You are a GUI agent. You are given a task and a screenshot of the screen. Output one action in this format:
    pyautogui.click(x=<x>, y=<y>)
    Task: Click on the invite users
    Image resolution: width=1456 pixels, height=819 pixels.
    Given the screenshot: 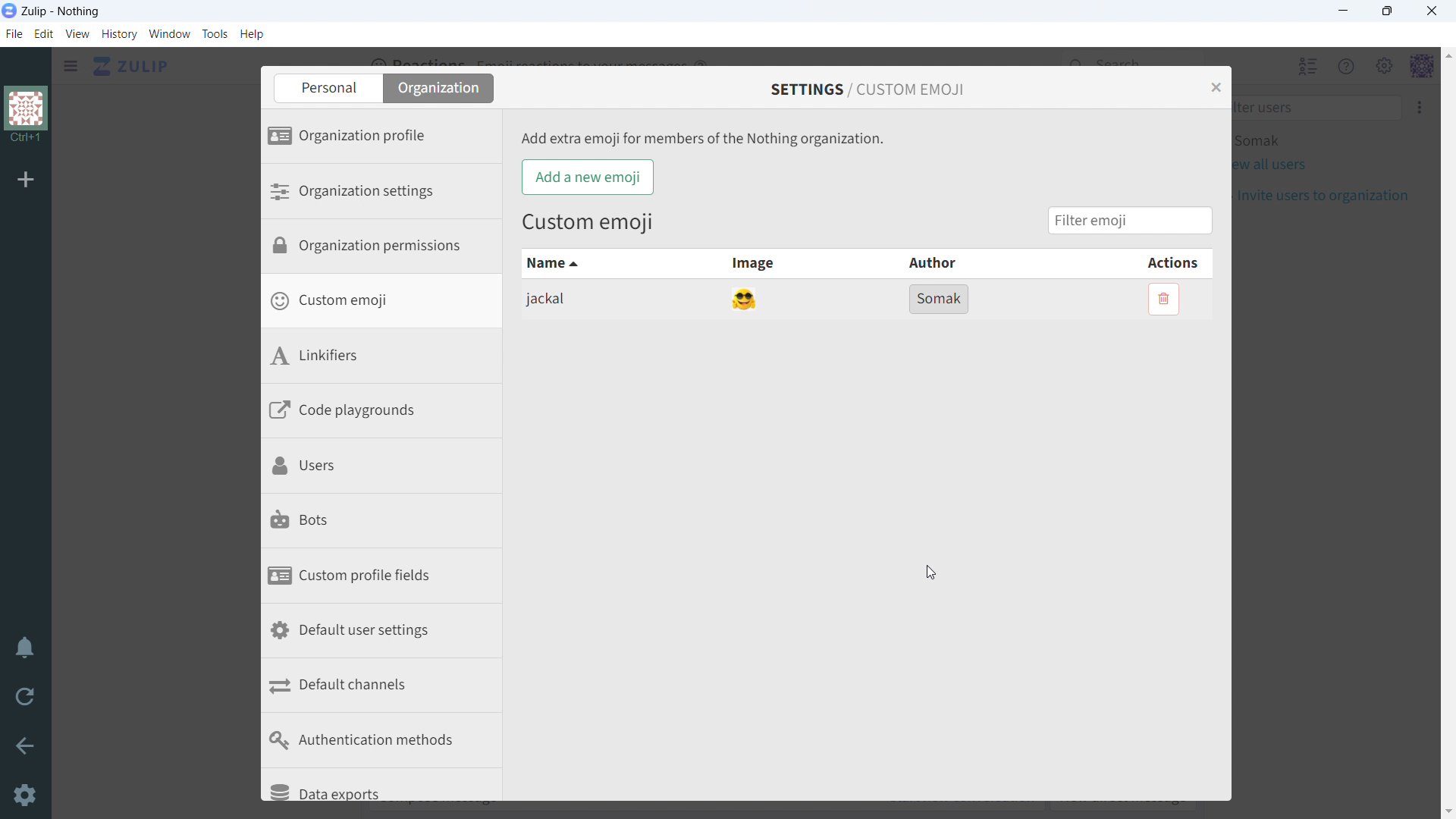 What is the action you would take?
    pyautogui.click(x=1419, y=108)
    